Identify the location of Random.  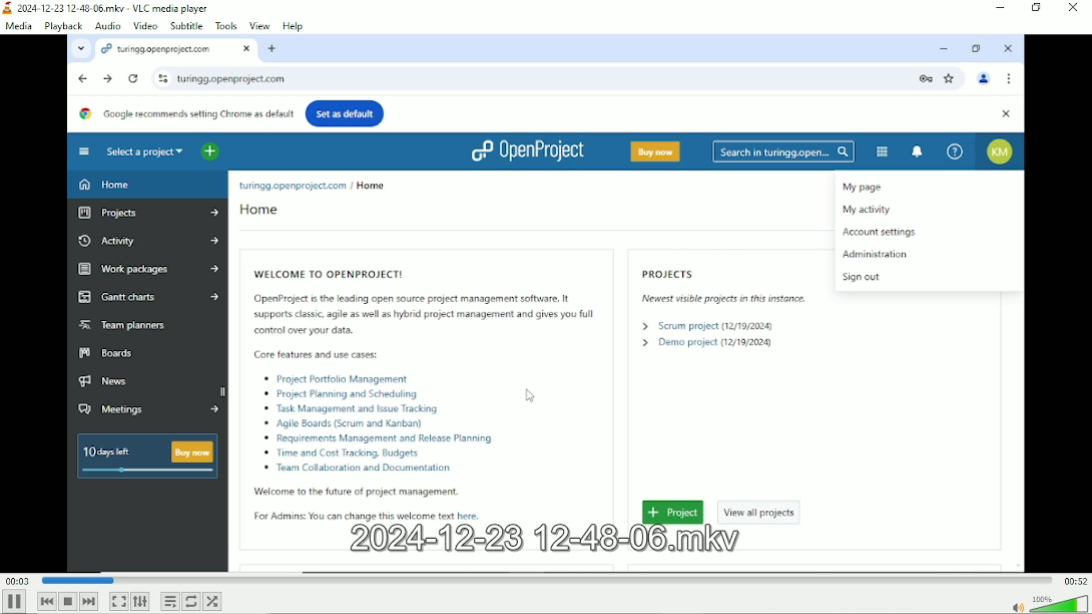
(213, 603).